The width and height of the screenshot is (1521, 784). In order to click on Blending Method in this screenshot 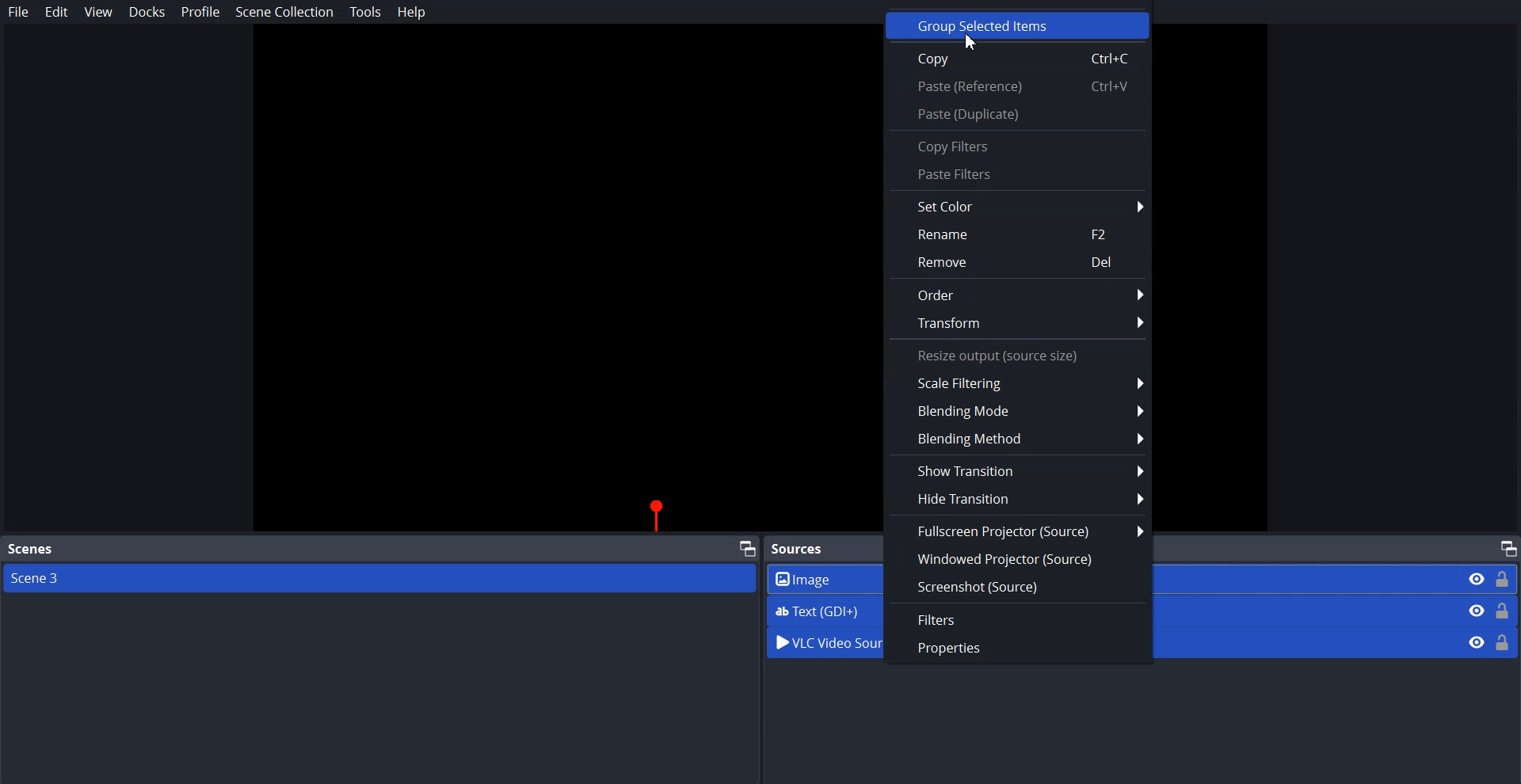, I will do `click(1019, 439)`.